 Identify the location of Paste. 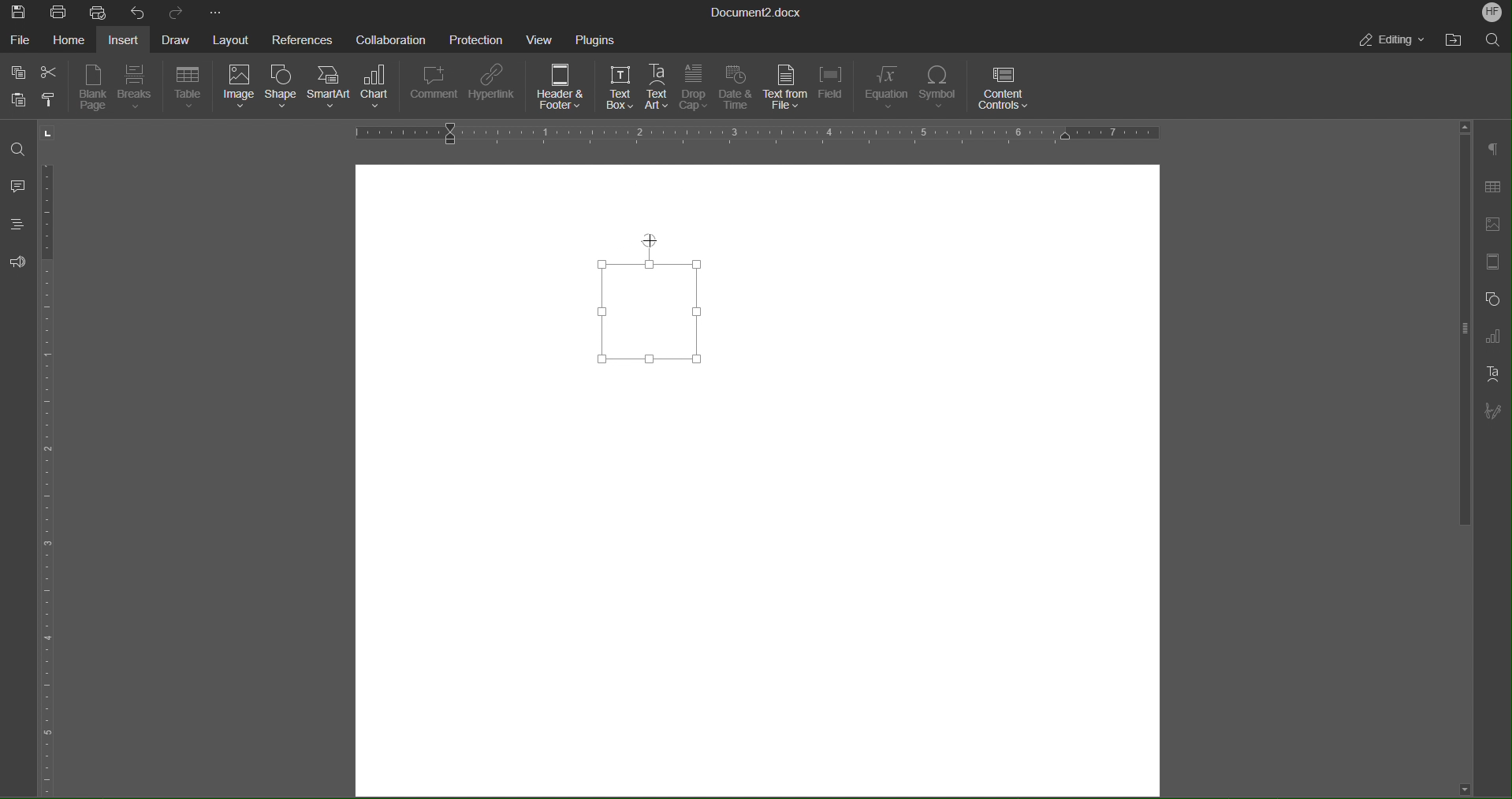
(18, 99).